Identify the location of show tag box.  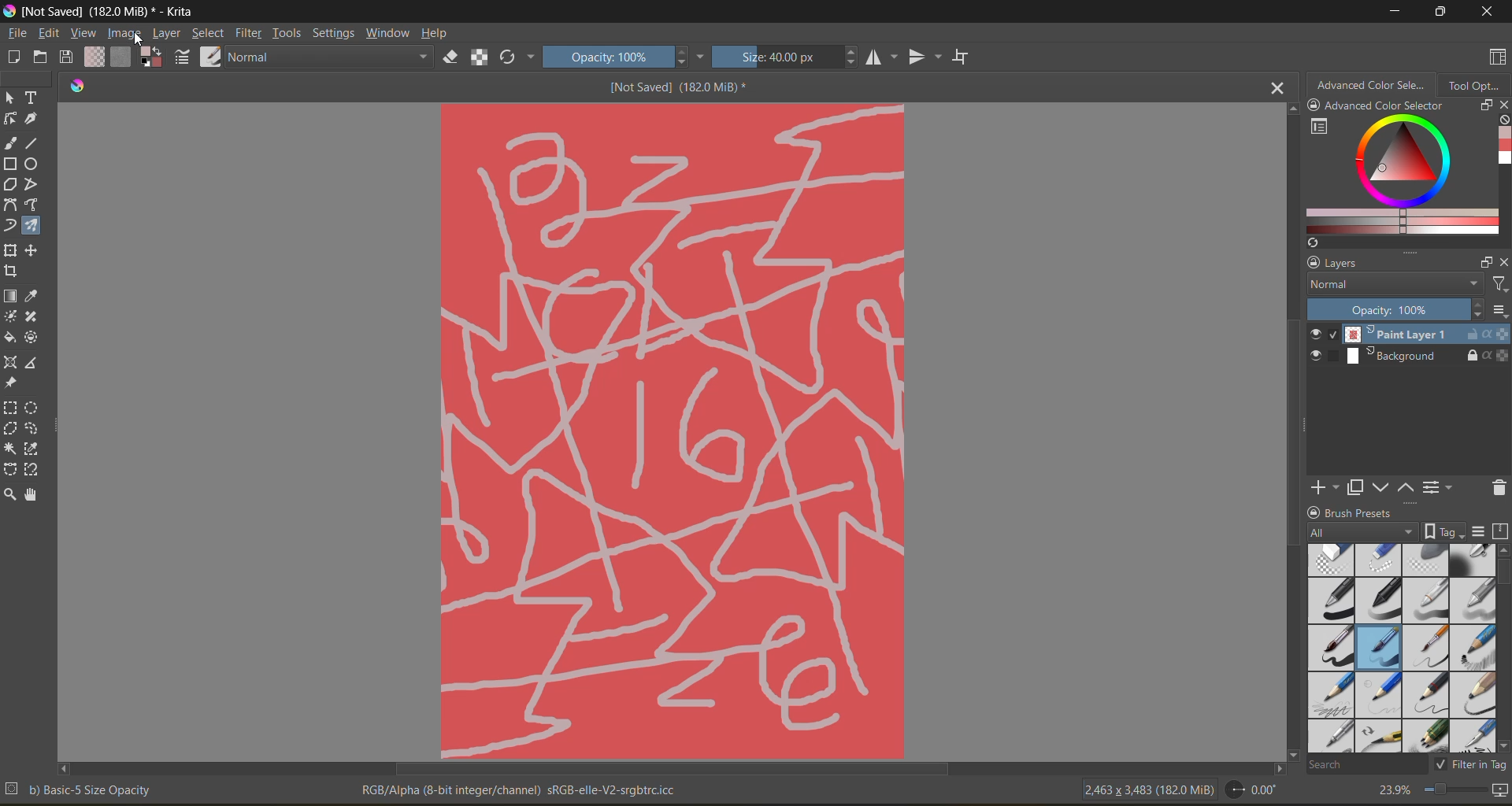
(1442, 529).